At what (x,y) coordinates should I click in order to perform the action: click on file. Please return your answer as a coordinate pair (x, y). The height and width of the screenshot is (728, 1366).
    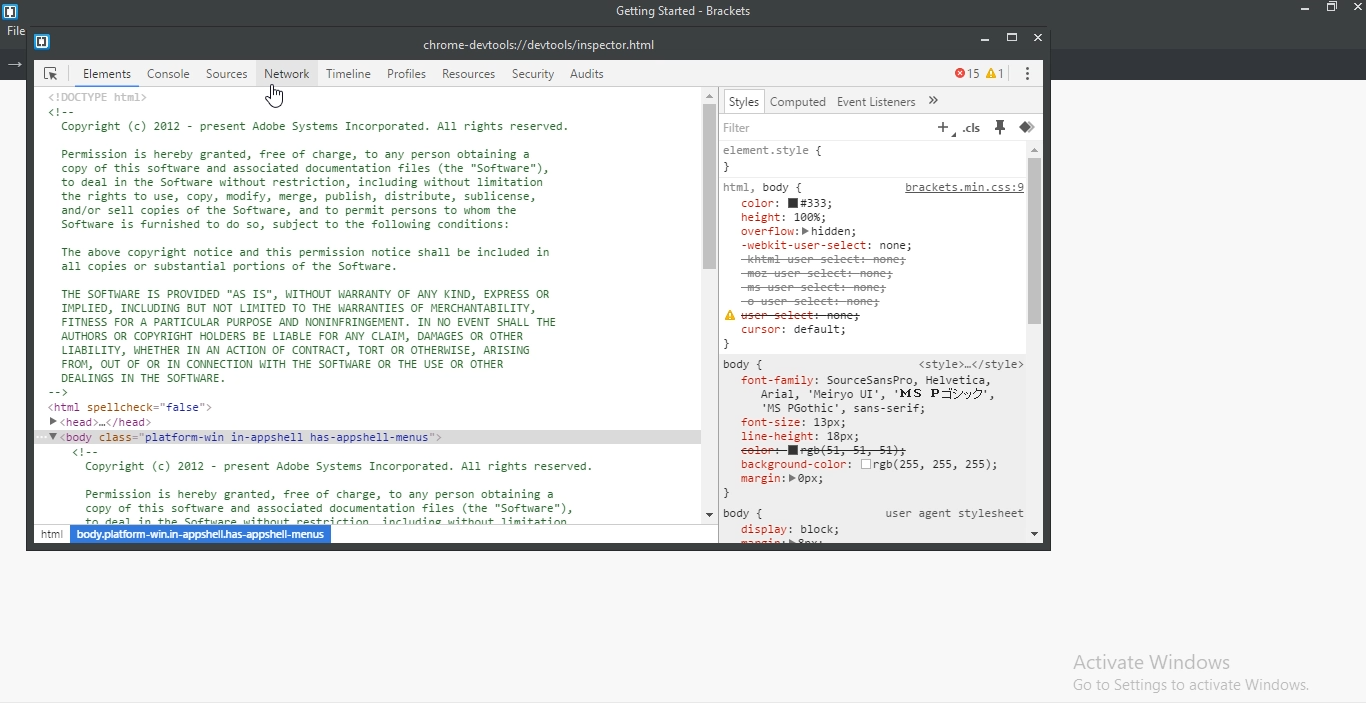
    Looking at the image, I should click on (14, 30).